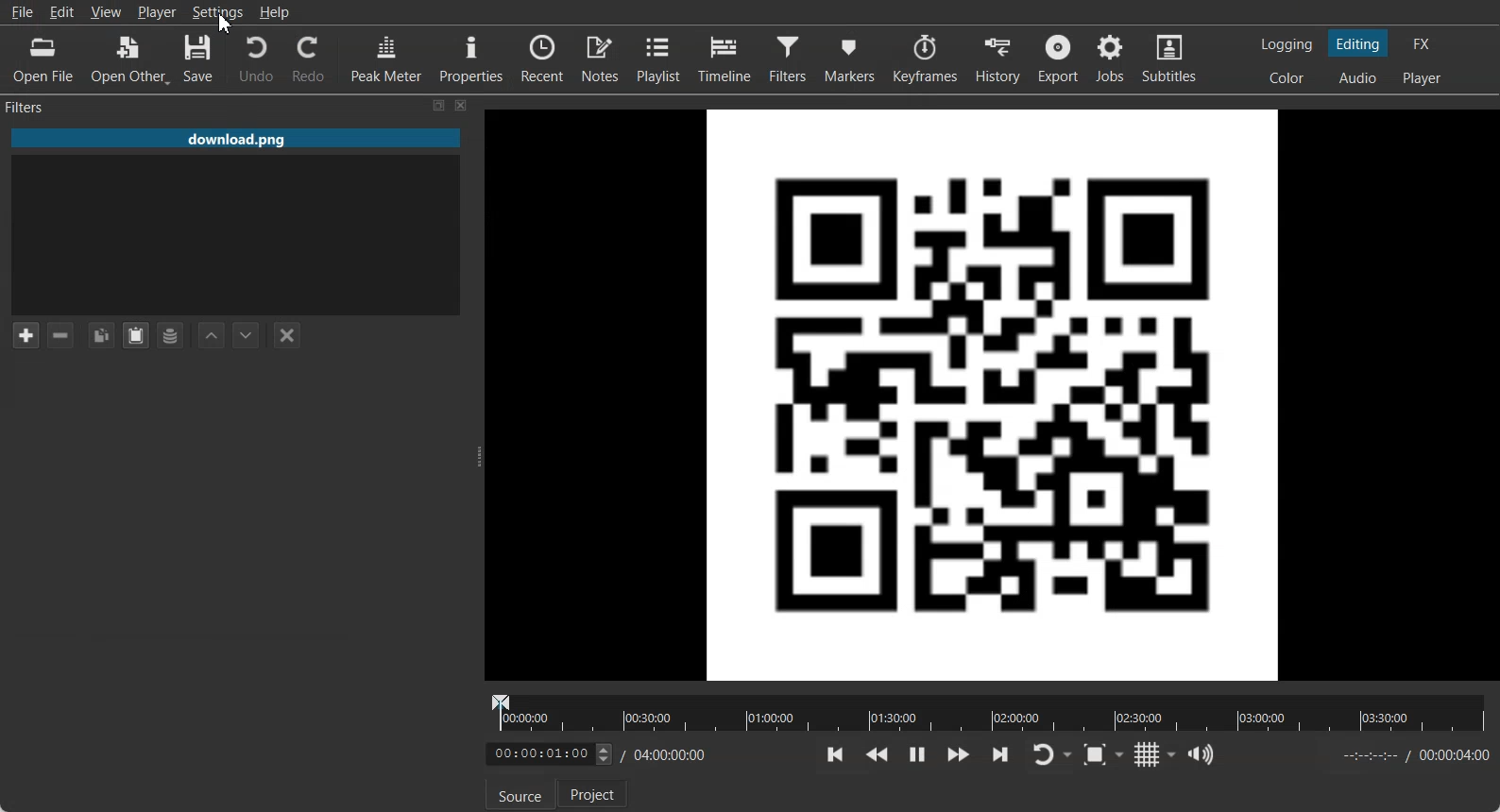  What do you see at coordinates (439, 105) in the screenshot?
I see `Maximize` at bounding box center [439, 105].